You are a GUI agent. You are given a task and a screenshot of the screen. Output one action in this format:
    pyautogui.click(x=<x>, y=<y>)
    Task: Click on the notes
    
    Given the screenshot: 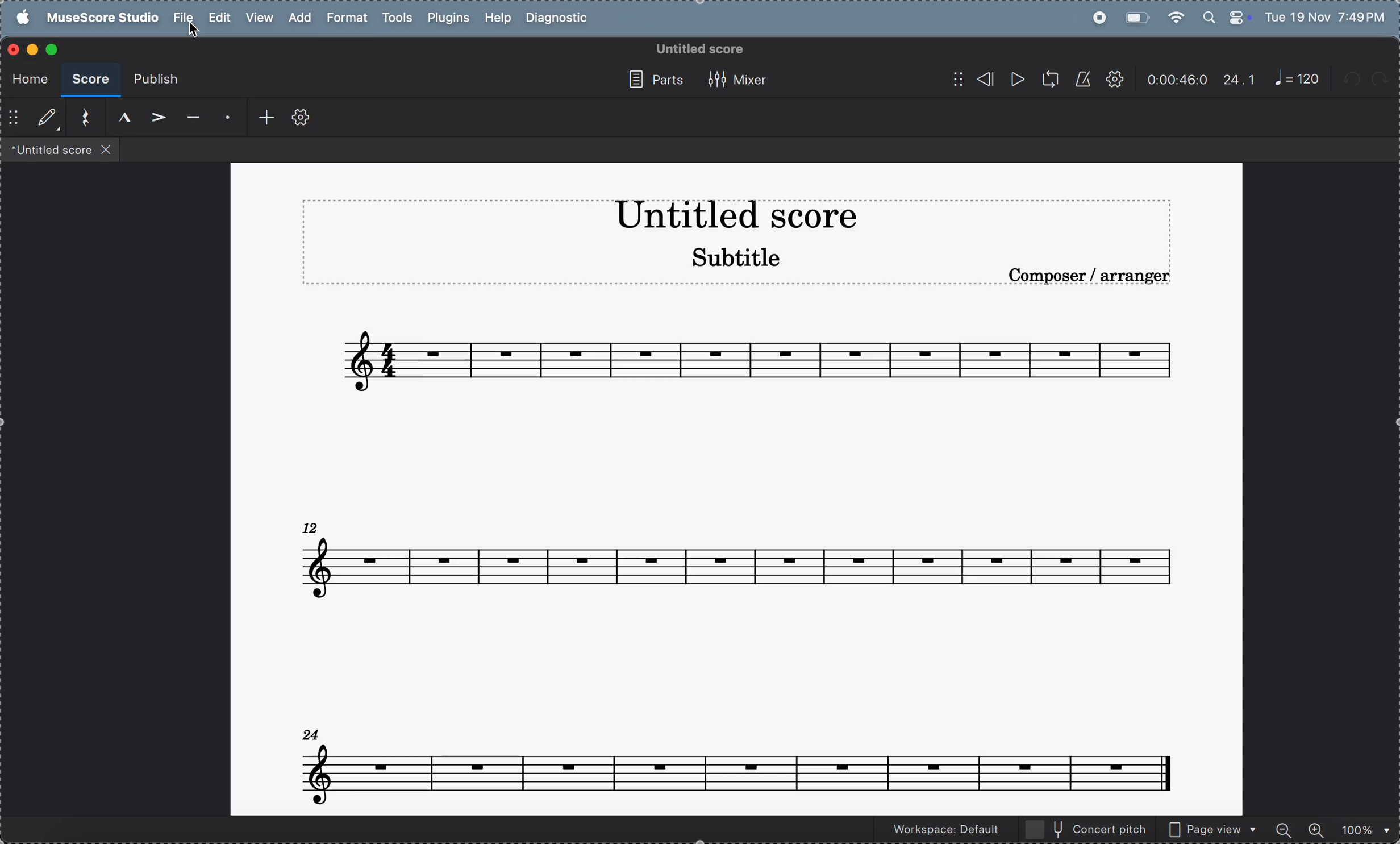 What is the action you would take?
    pyautogui.click(x=744, y=558)
    